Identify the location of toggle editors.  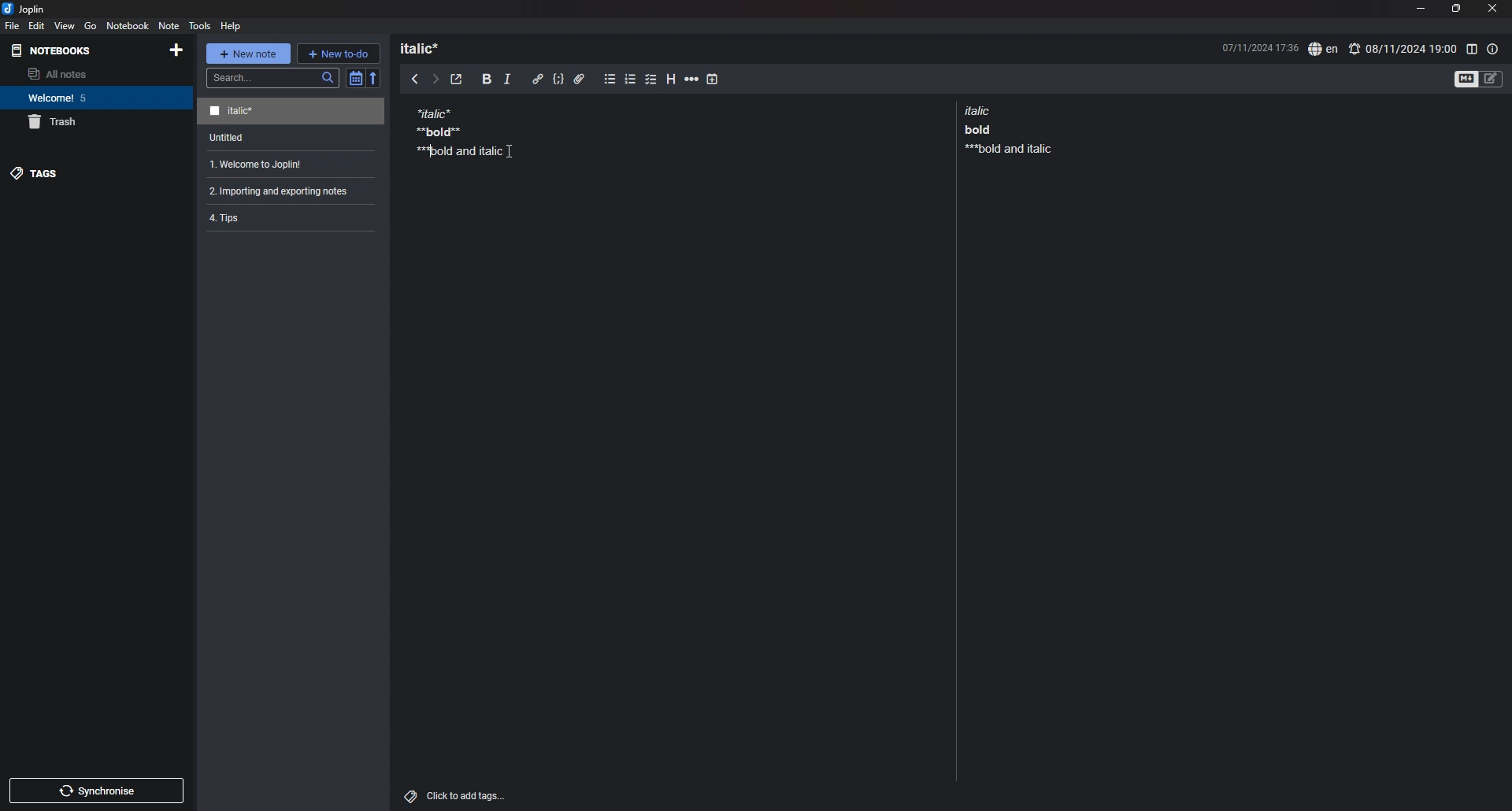
(1479, 78).